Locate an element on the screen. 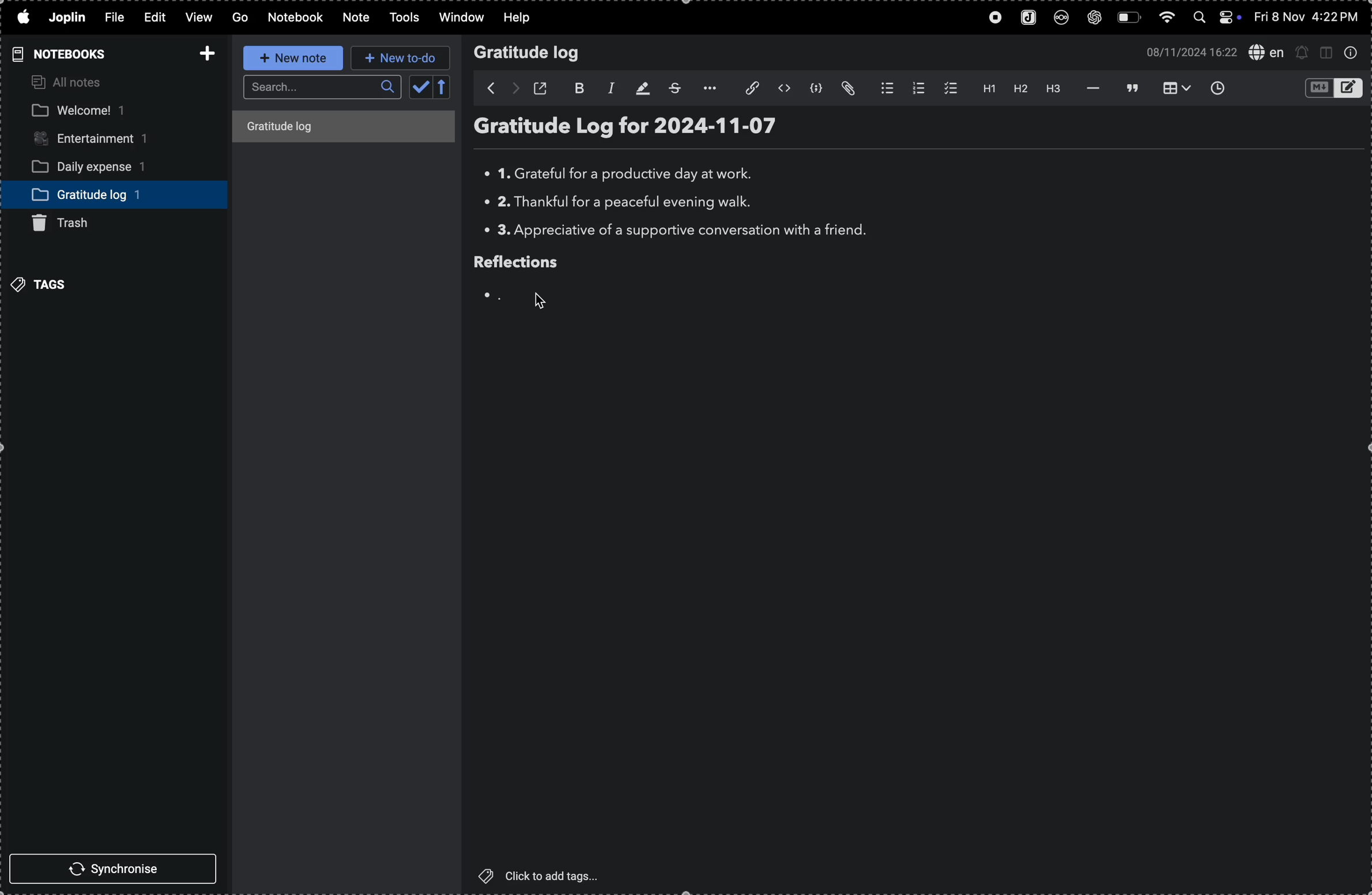 The width and height of the screenshot is (1372, 895). create new alert is located at coordinates (1301, 52).